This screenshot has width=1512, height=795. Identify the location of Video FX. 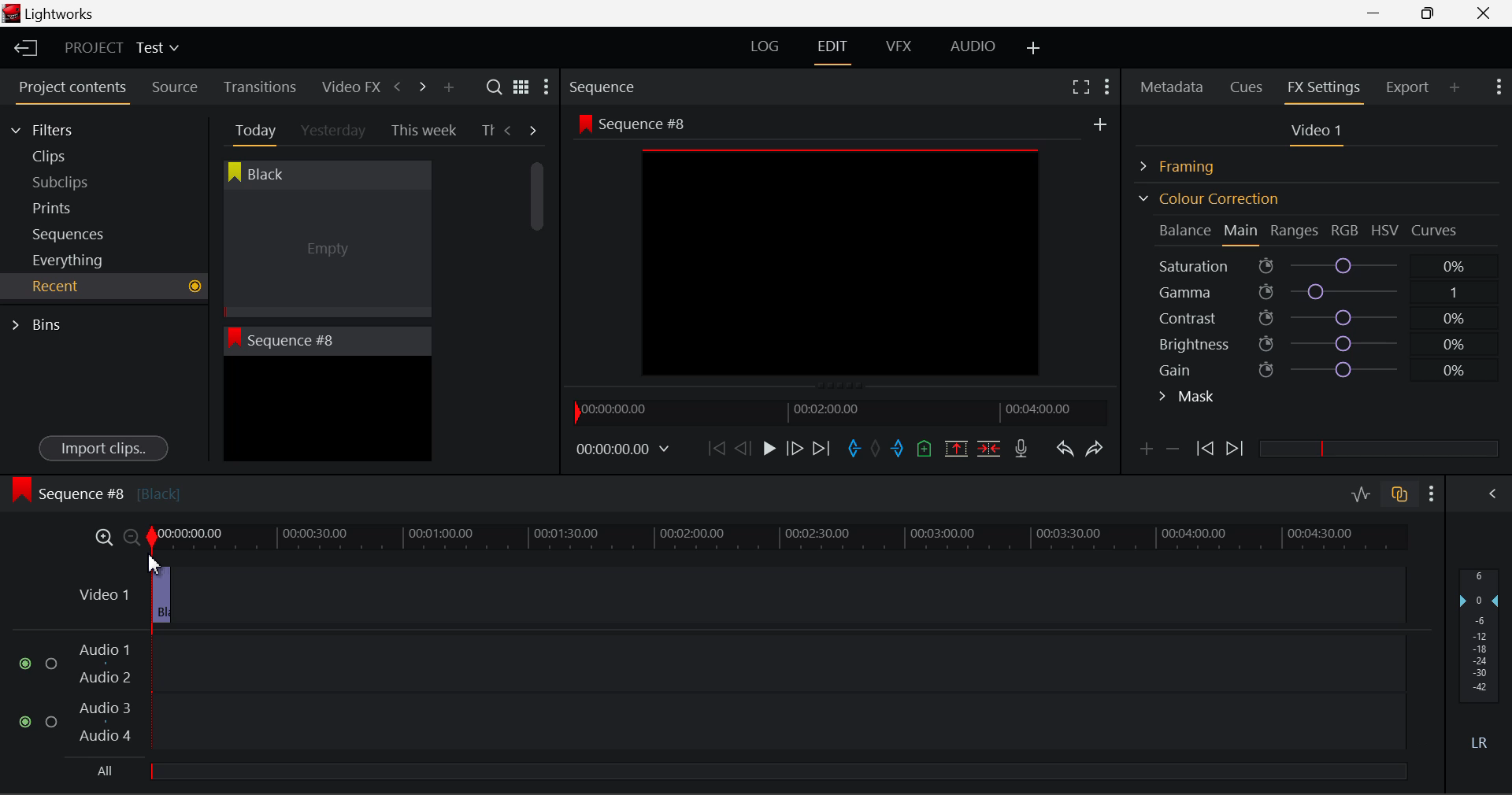
(346, 87).